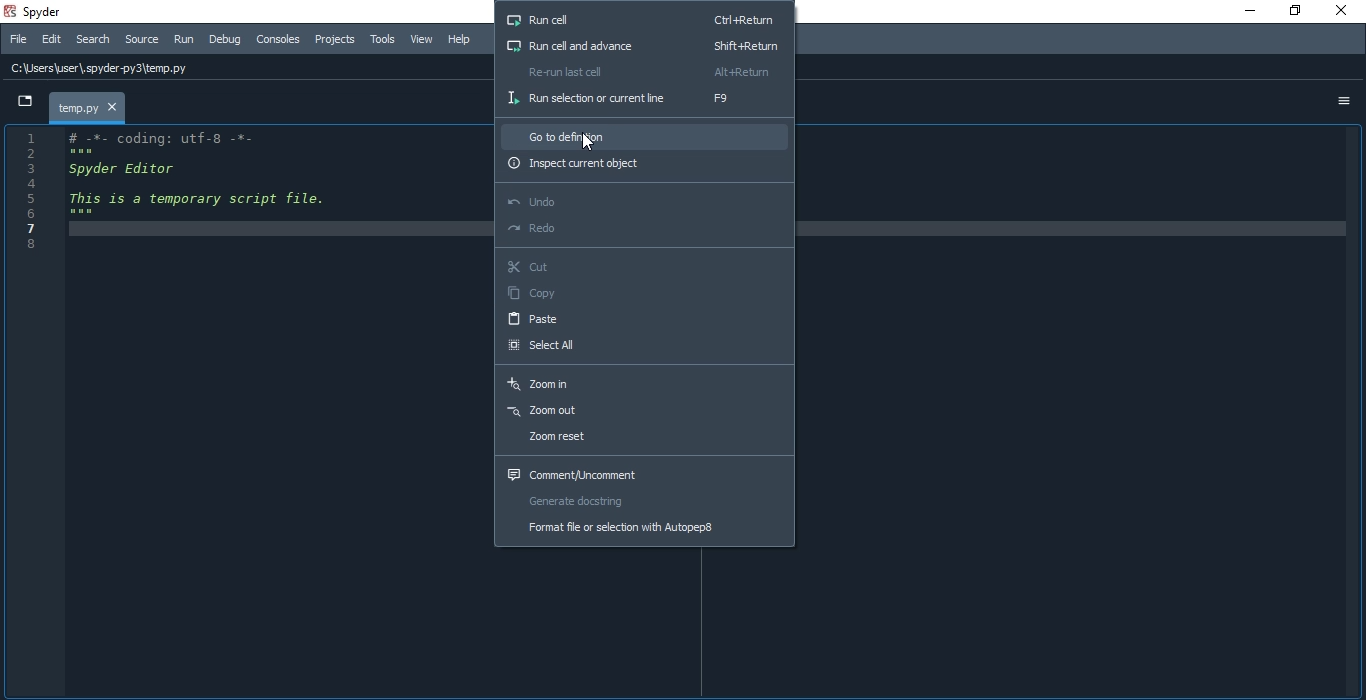  Describe the element at coordinates (50, 212) in the screenshot. I see `6 ***` at that location.